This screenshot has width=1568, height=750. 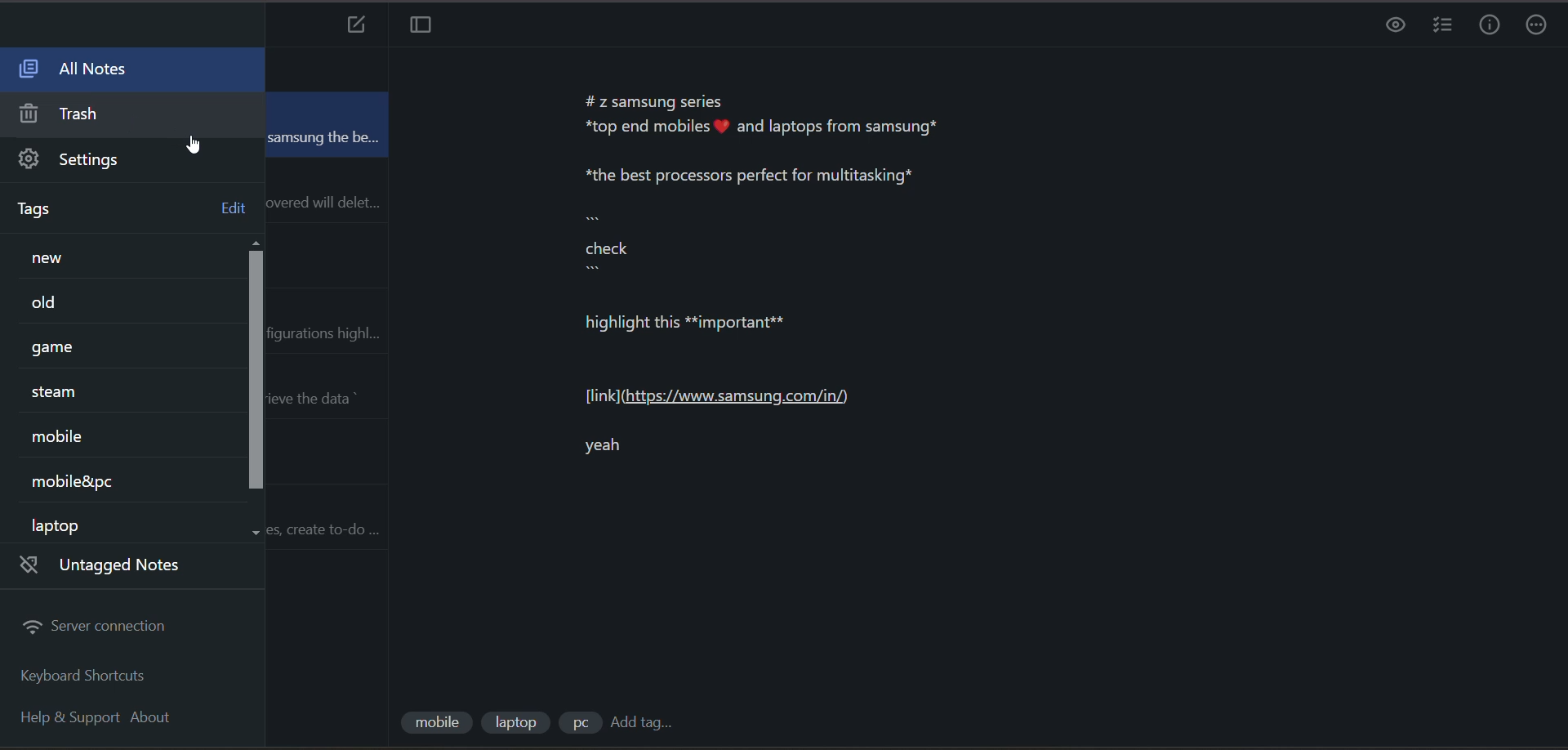 What do you see at coordinates (101, 69) in the screenshot?
I see `all notes` at bounding box center [101, 69].